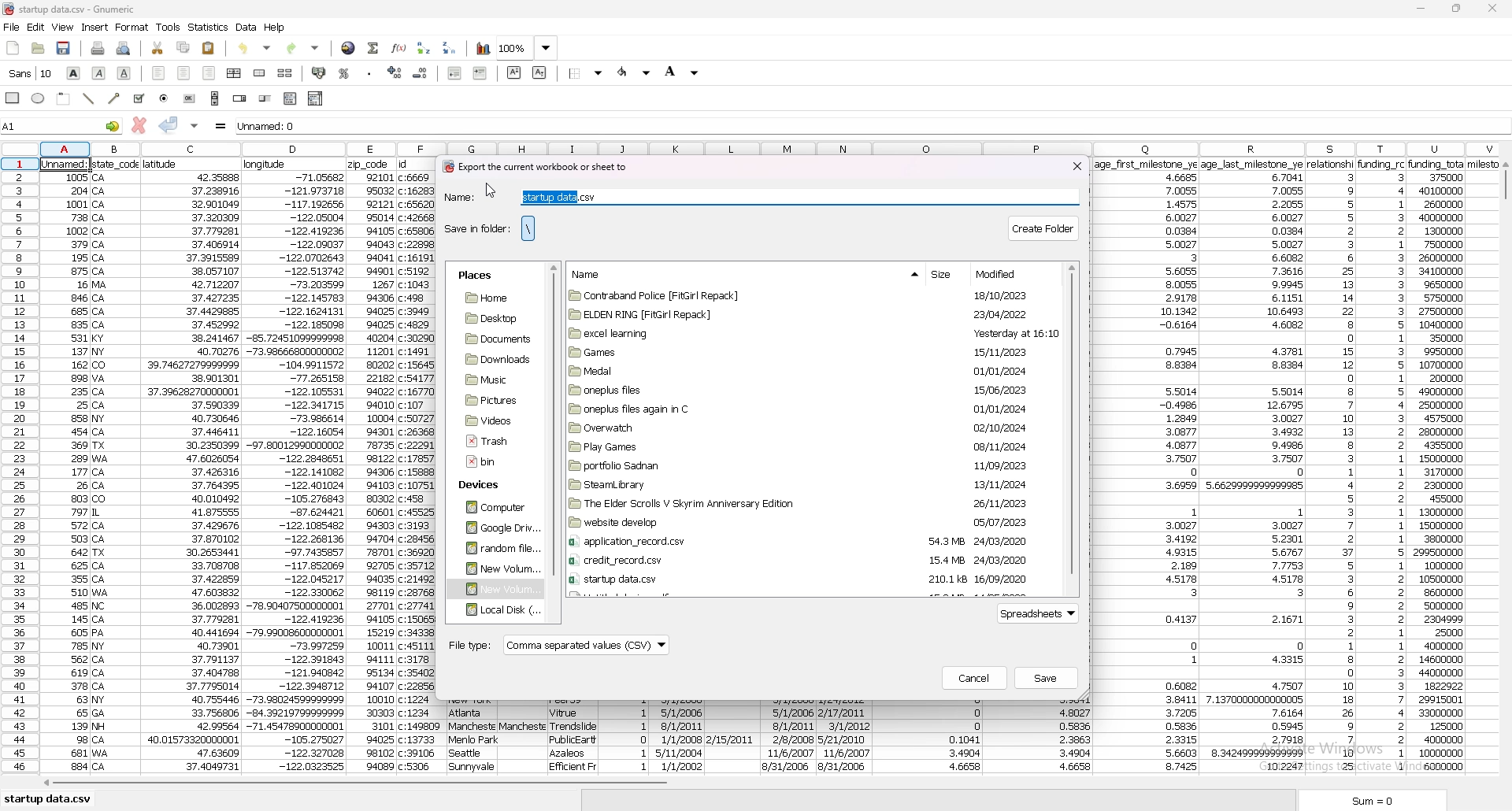 The width and height of the screenshot is (1512, 811). I want to click on daat, so click(1254, 465).